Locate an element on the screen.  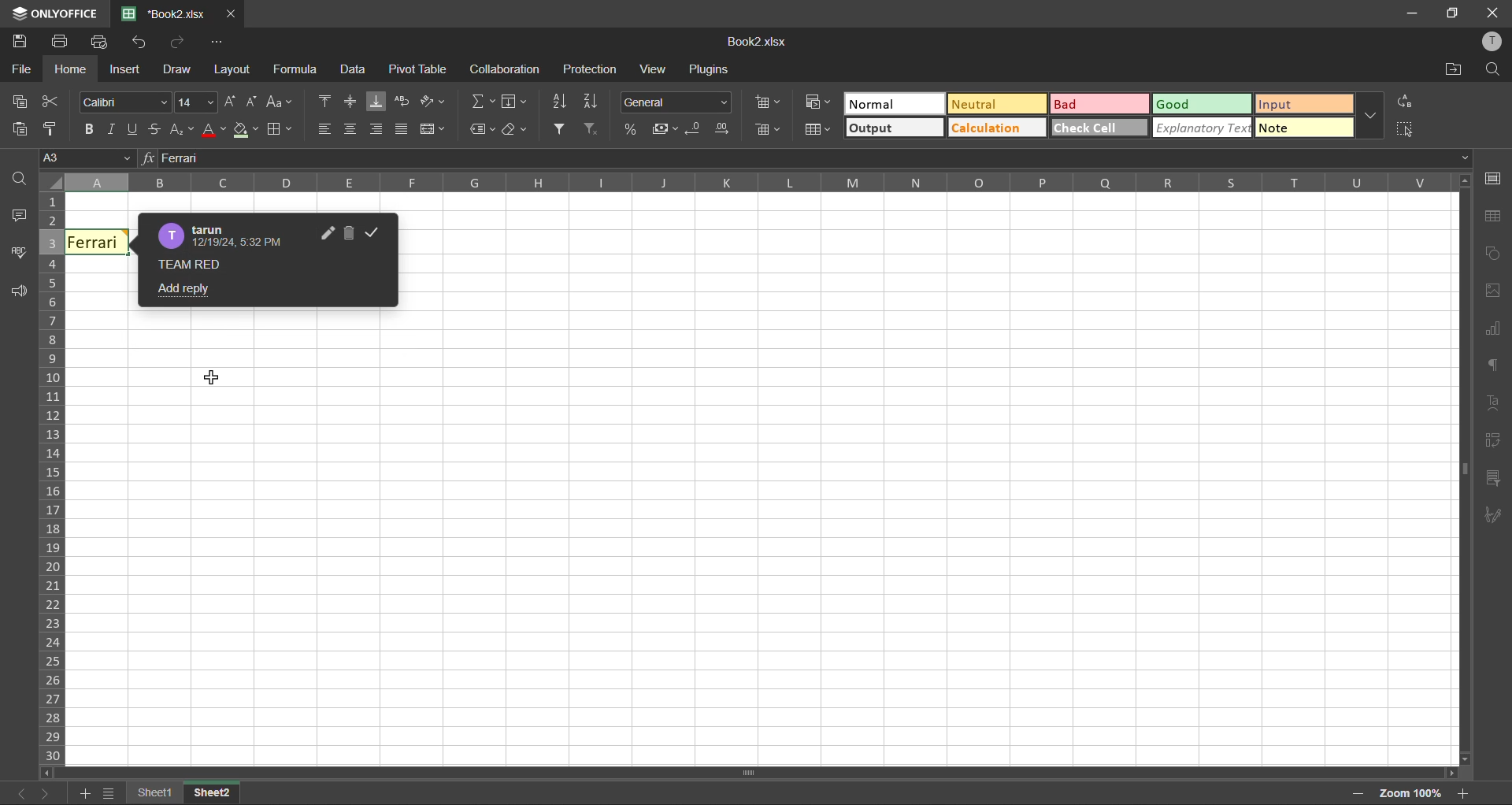
fields is located at coordinates (517, 101).